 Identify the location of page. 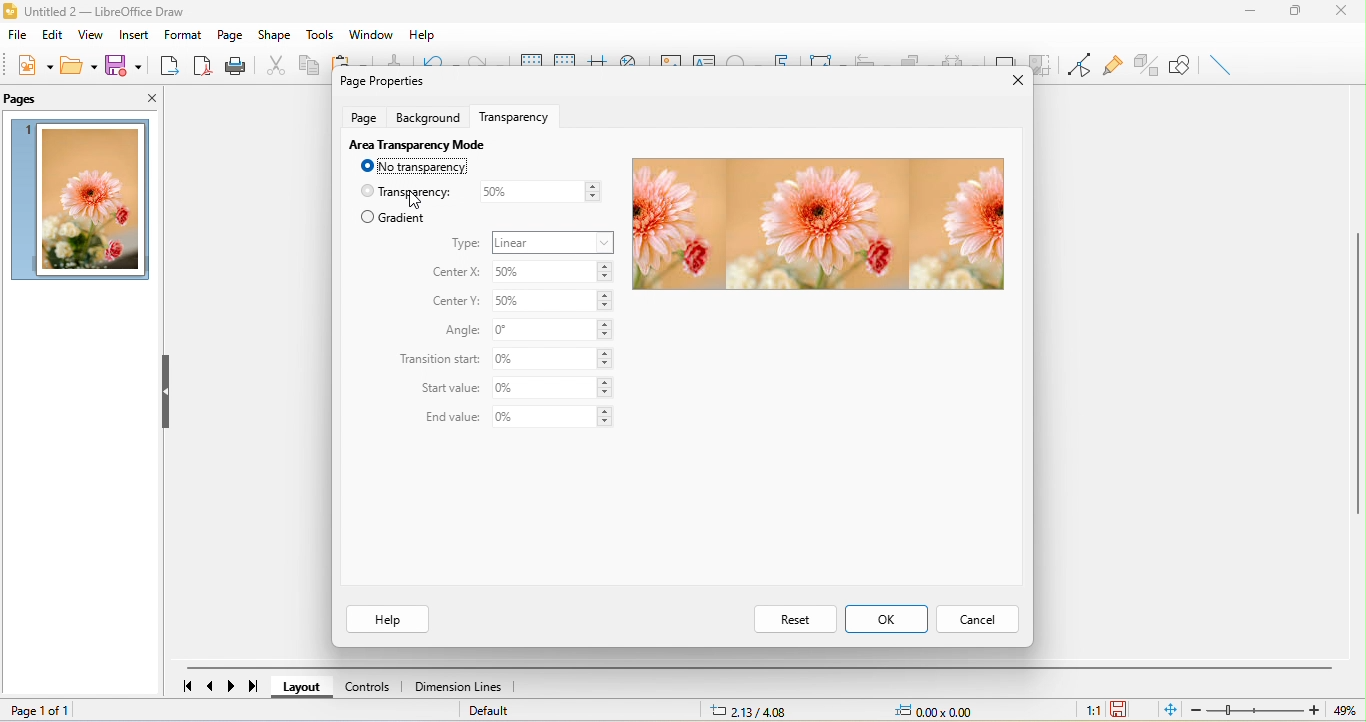
(232, 34).